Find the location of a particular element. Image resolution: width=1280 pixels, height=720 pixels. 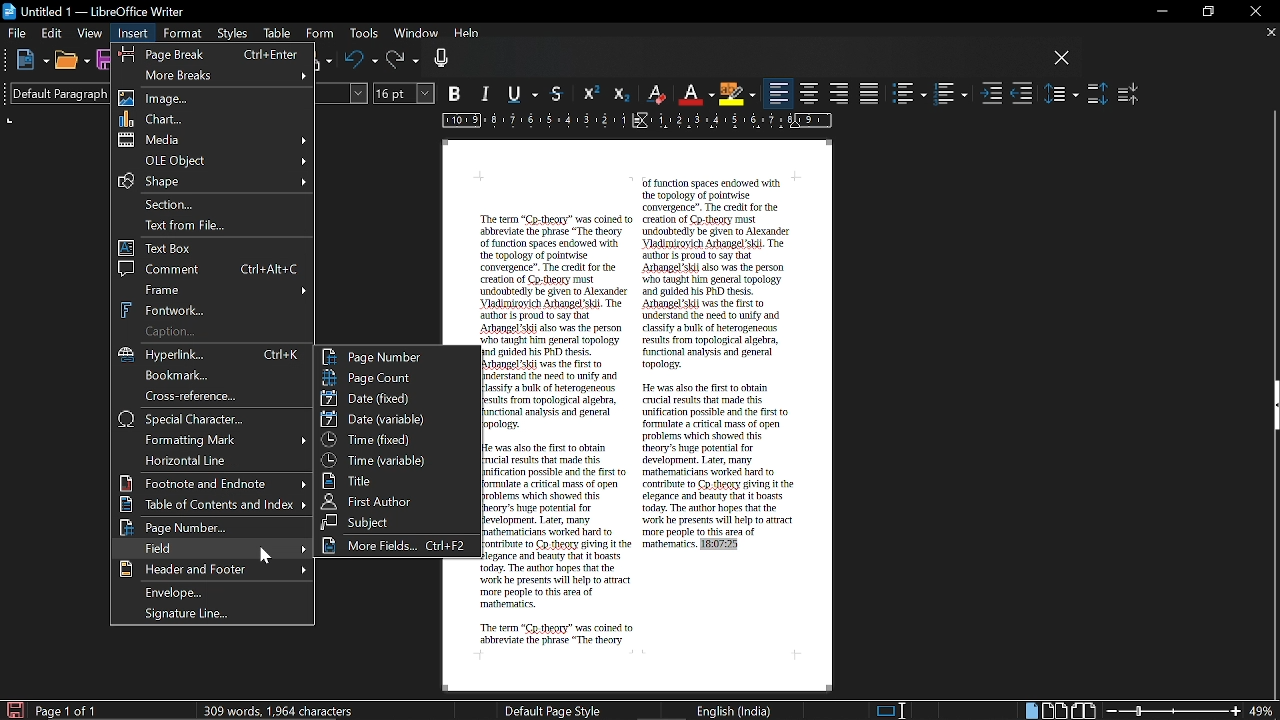

Chart is located at coordinates (214, 118).